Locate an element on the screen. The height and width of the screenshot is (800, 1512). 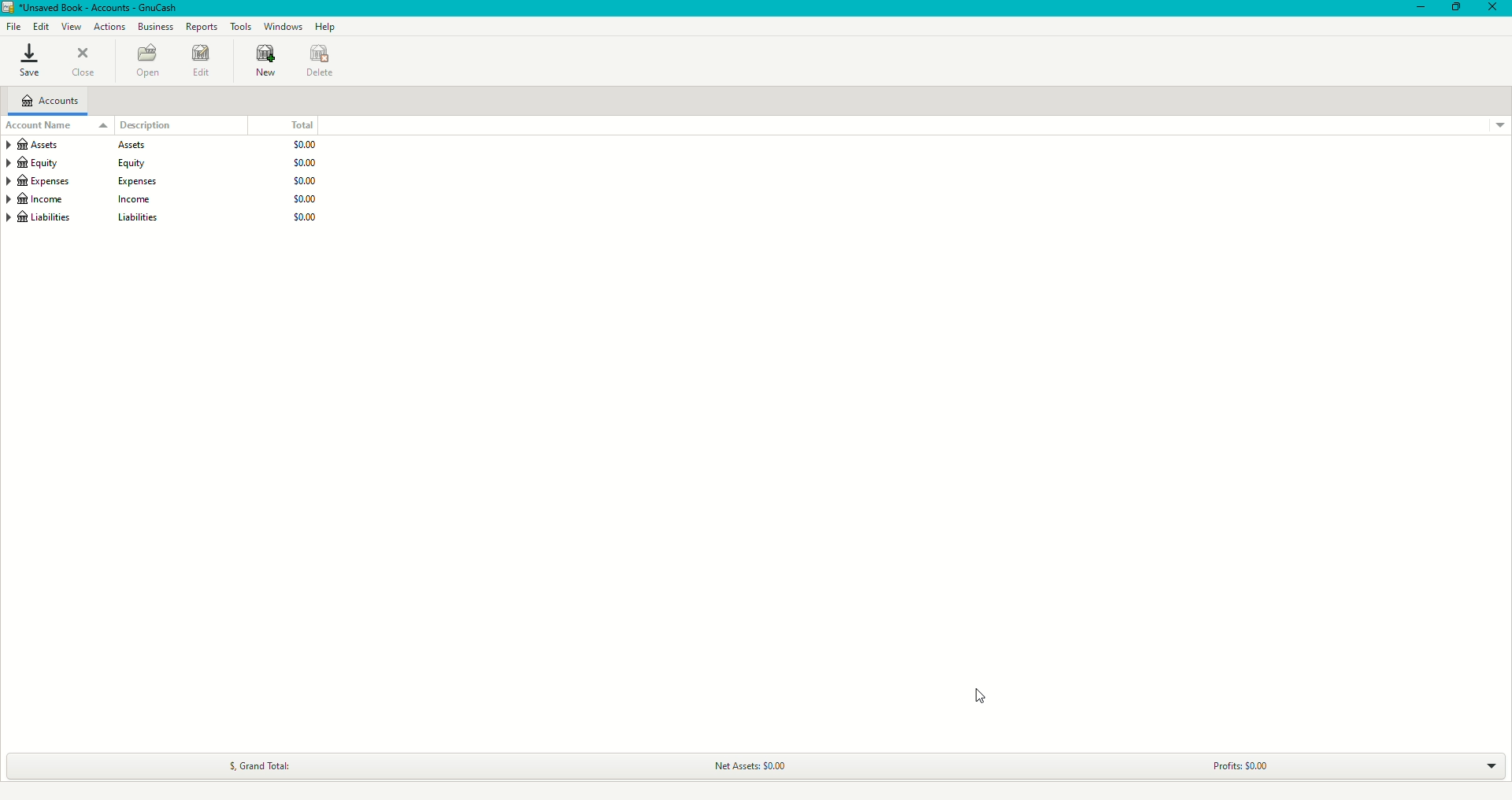
Help is located at coordinates (325, 27).